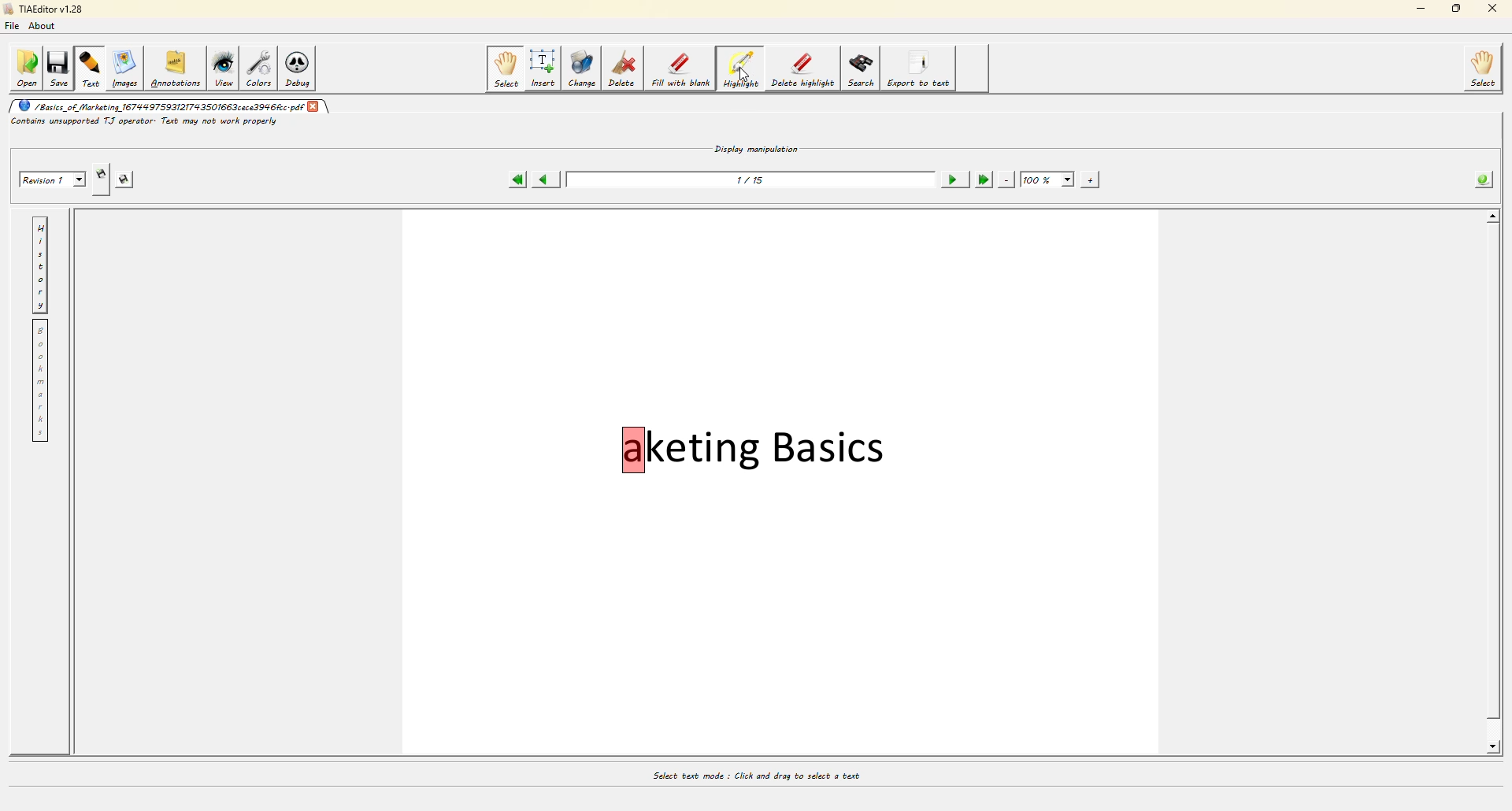 This screenshot has height=811, width=1512. What do you see at coordinates (542, 69) in the screenshot?
I see `insert` at bounding box center [542, 69].